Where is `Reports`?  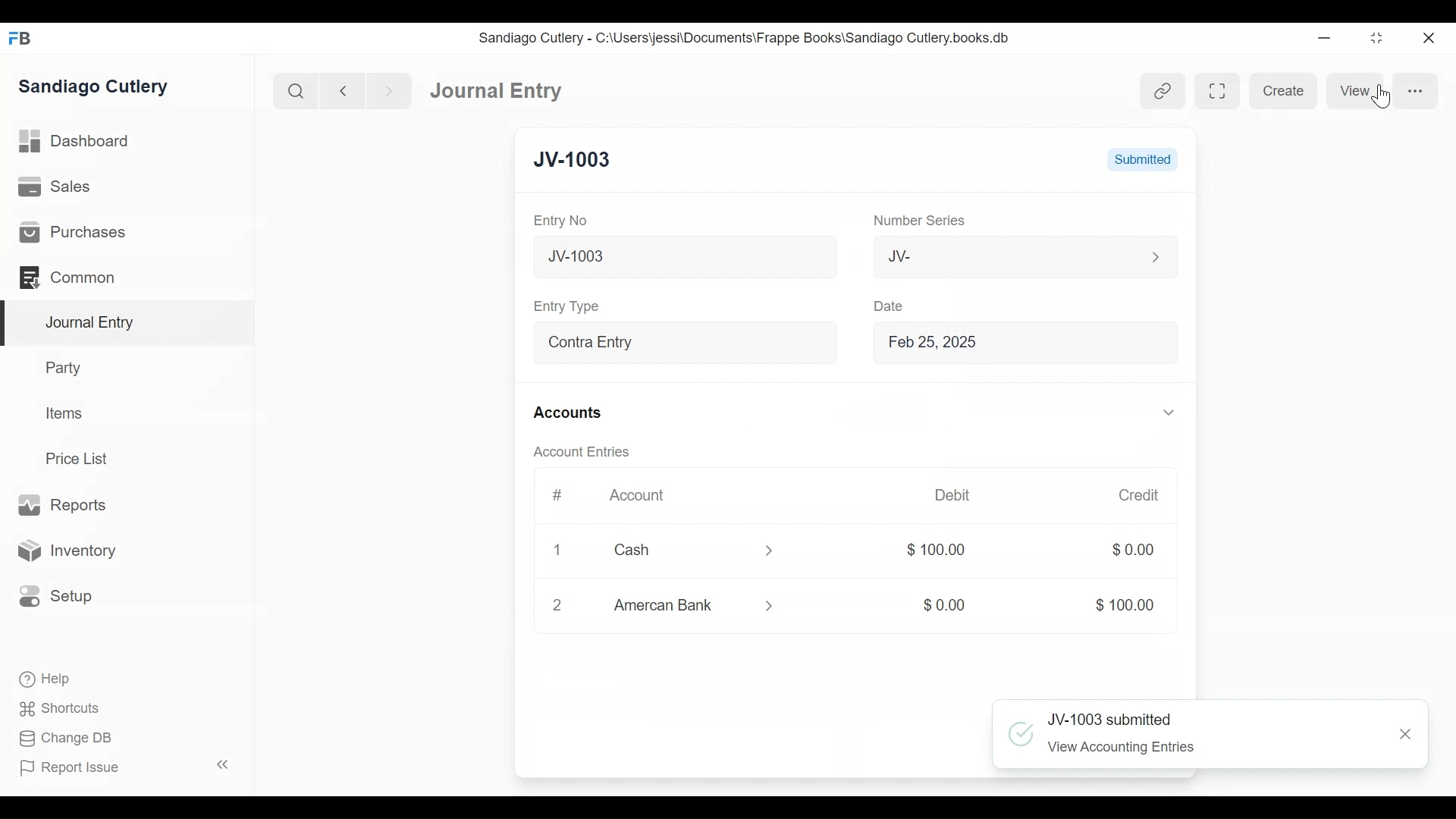
Reports is located at coordinates (61, 504).